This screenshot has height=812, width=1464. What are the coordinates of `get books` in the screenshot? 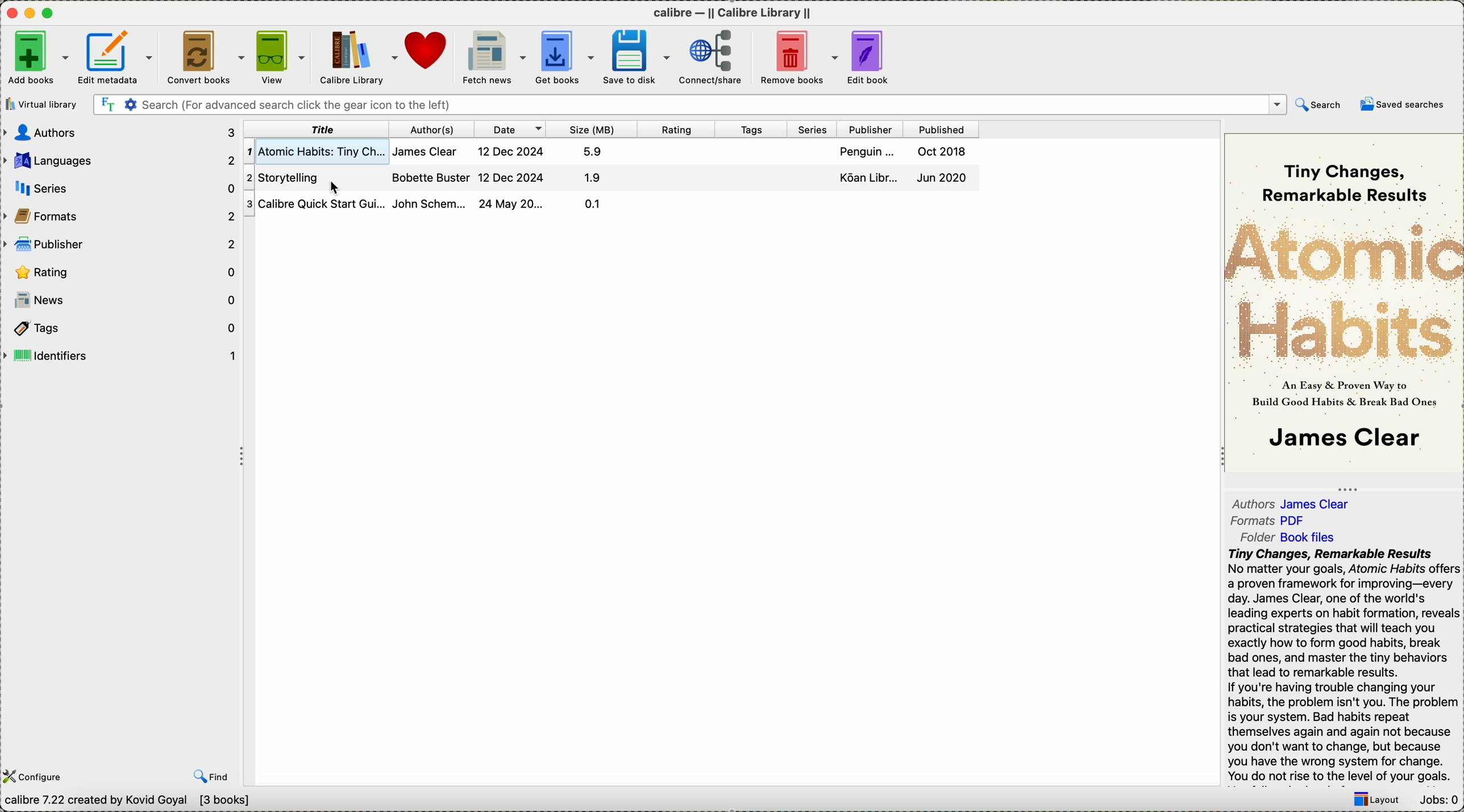 It's located at (566, 56).